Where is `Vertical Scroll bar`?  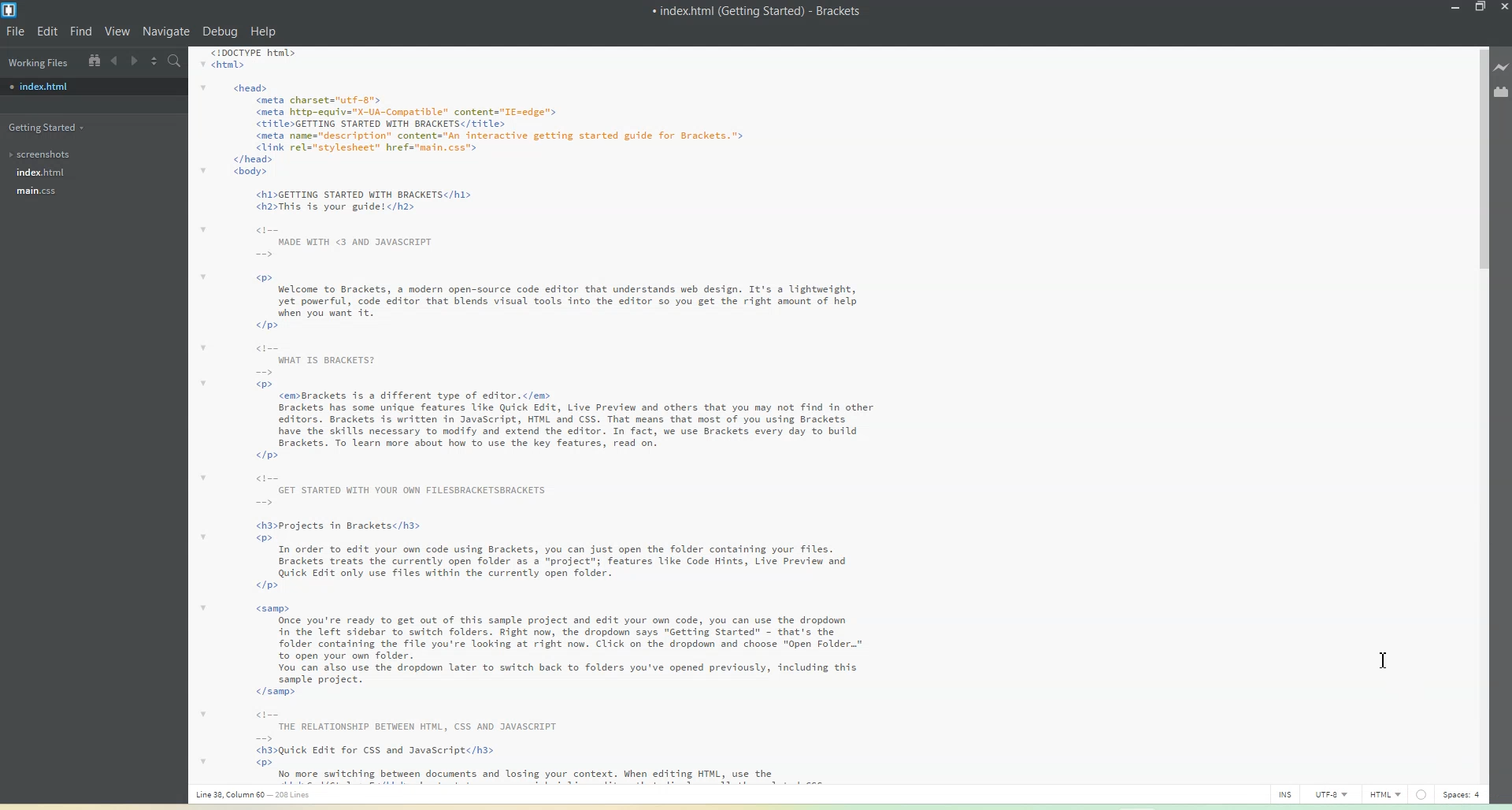
Vertical Scroll bar is located at coordinates (1480, 414).